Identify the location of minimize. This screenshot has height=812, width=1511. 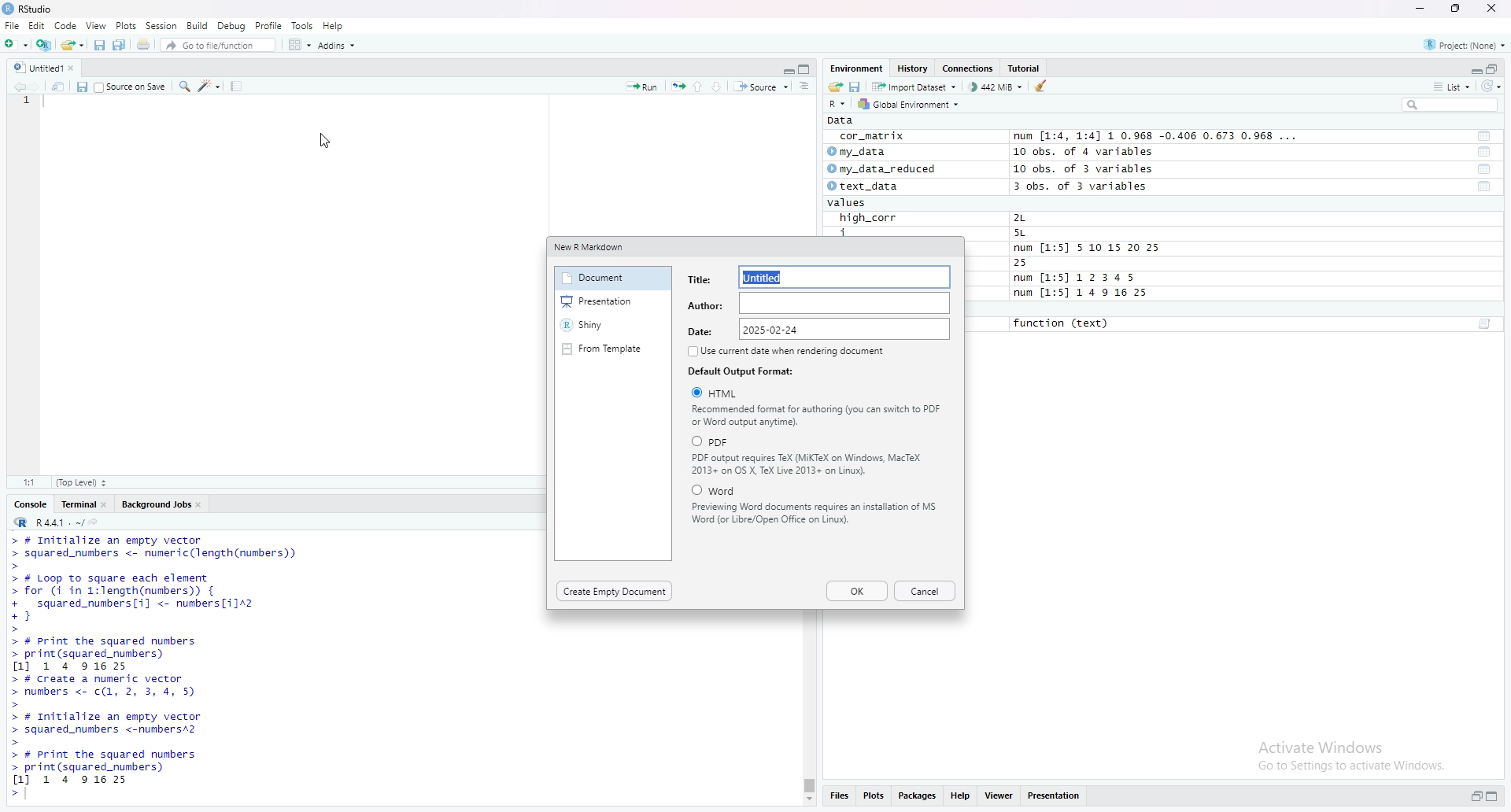
(1471, 68).